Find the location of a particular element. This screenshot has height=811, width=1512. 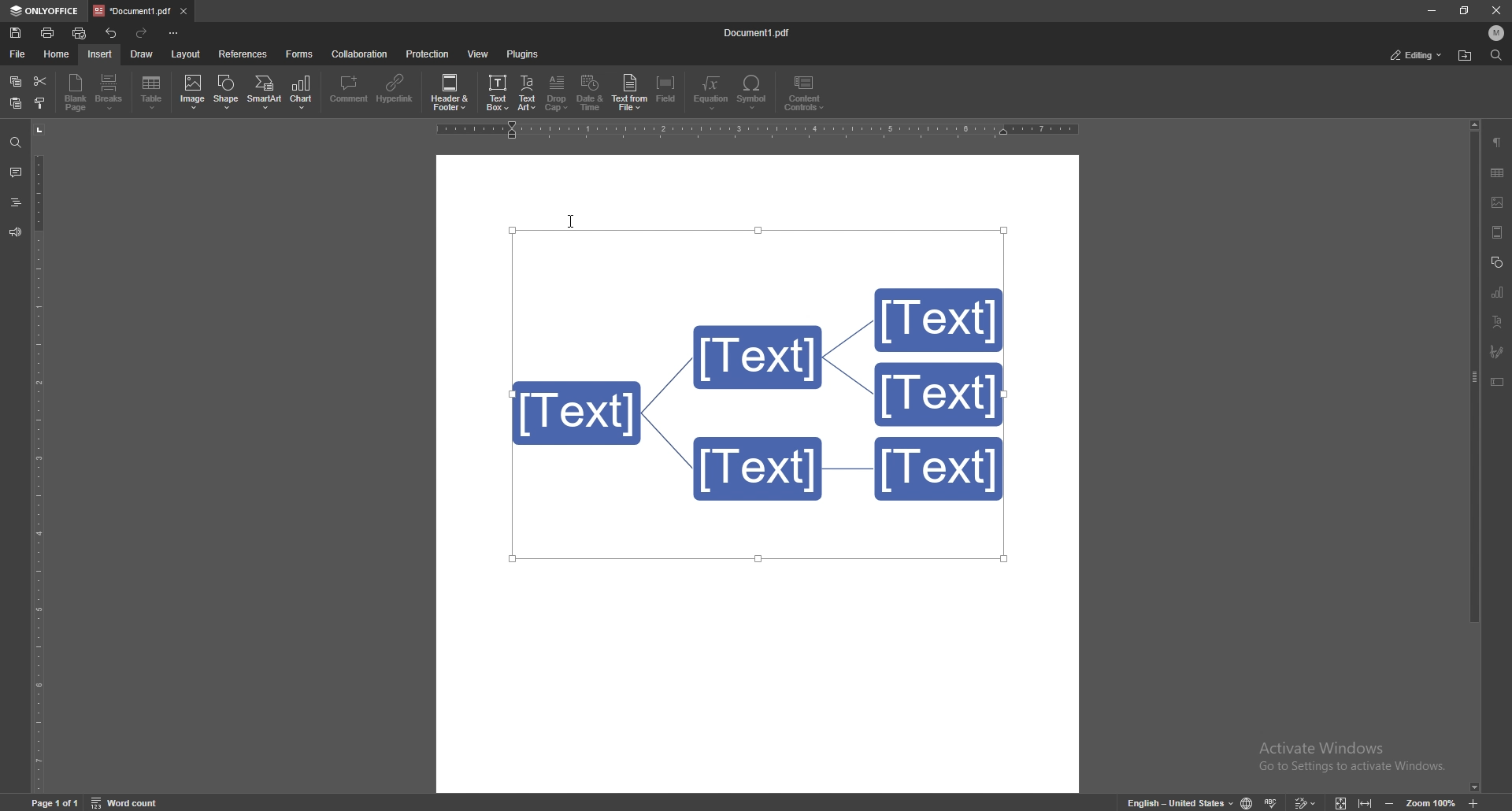

change text language is located at coordinates (1178, 802).